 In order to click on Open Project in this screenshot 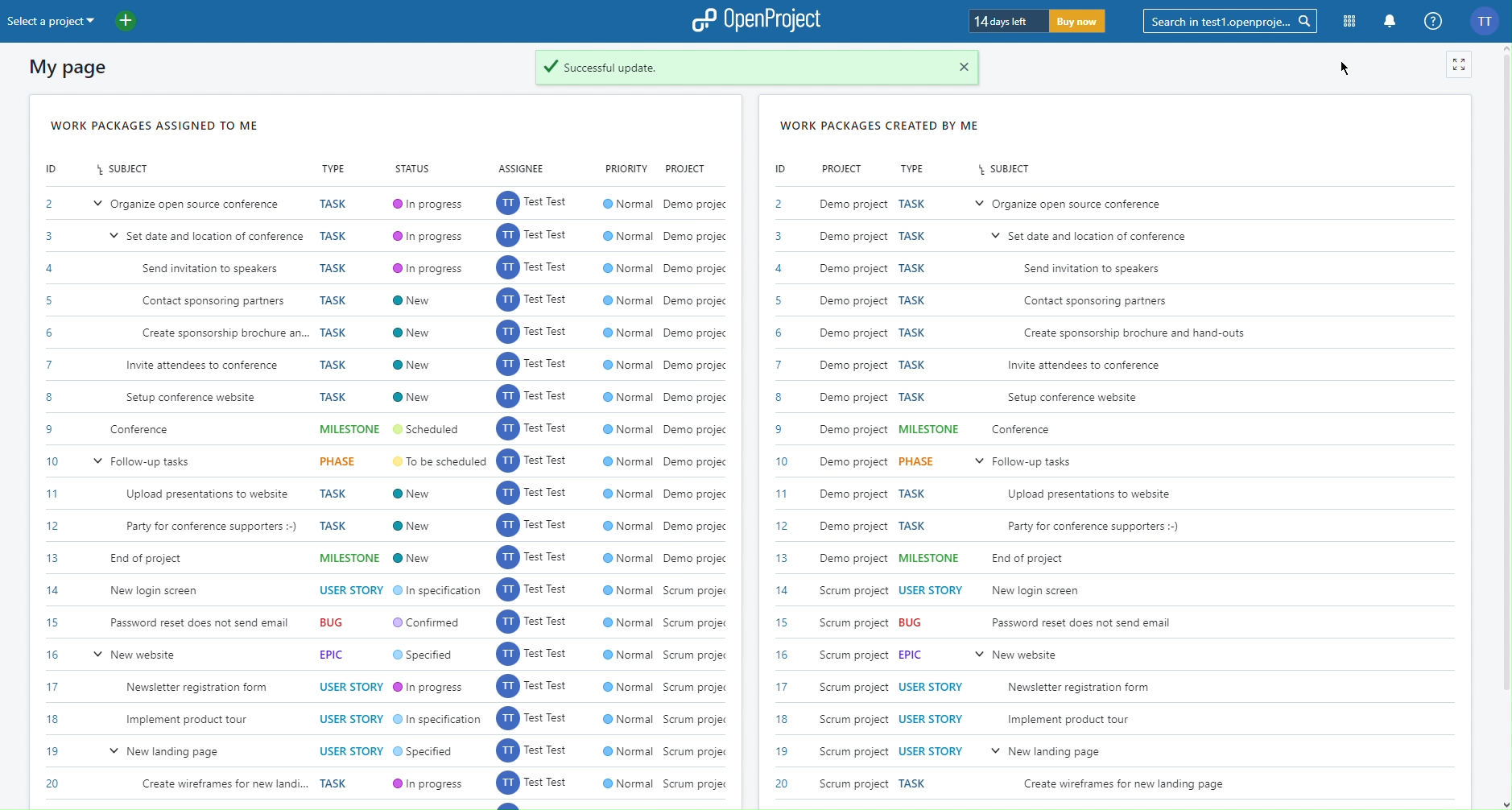, I will do `click(758, 22)`.